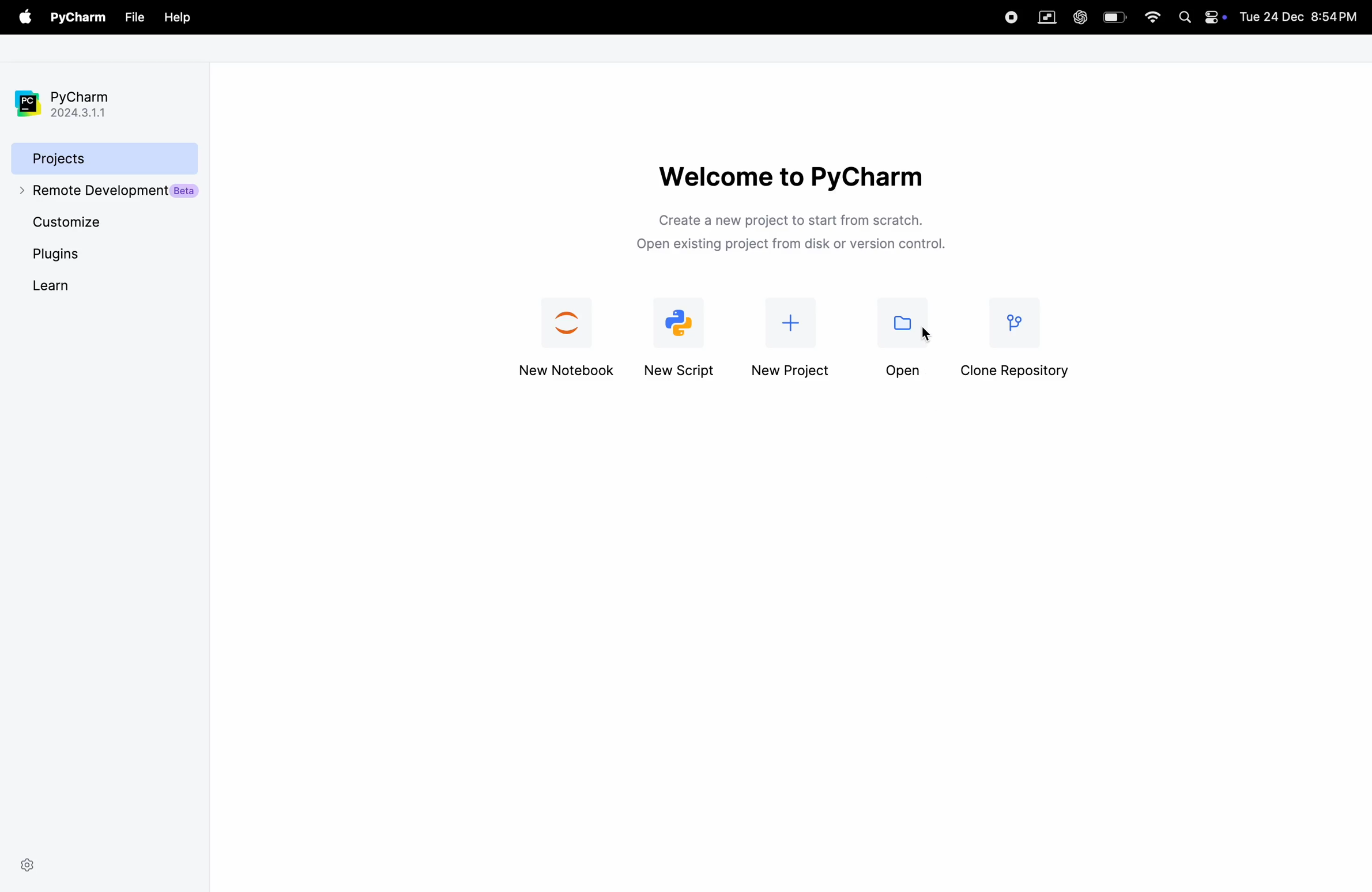  Describe the element at coordinates (794, 333) in the screenshot. I see `new project` at that location.